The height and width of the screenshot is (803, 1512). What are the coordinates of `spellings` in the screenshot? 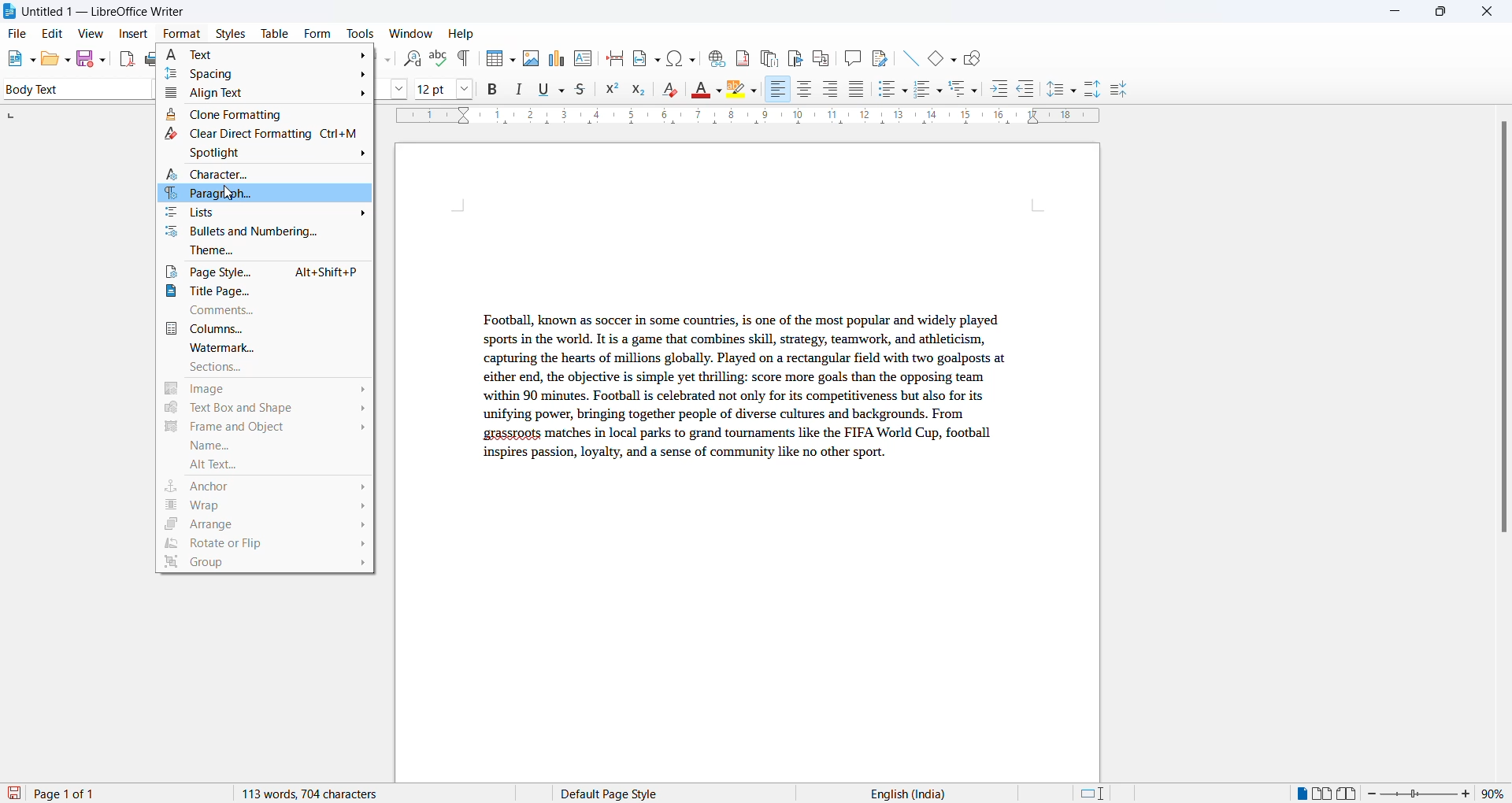 It's located at (438, 57).